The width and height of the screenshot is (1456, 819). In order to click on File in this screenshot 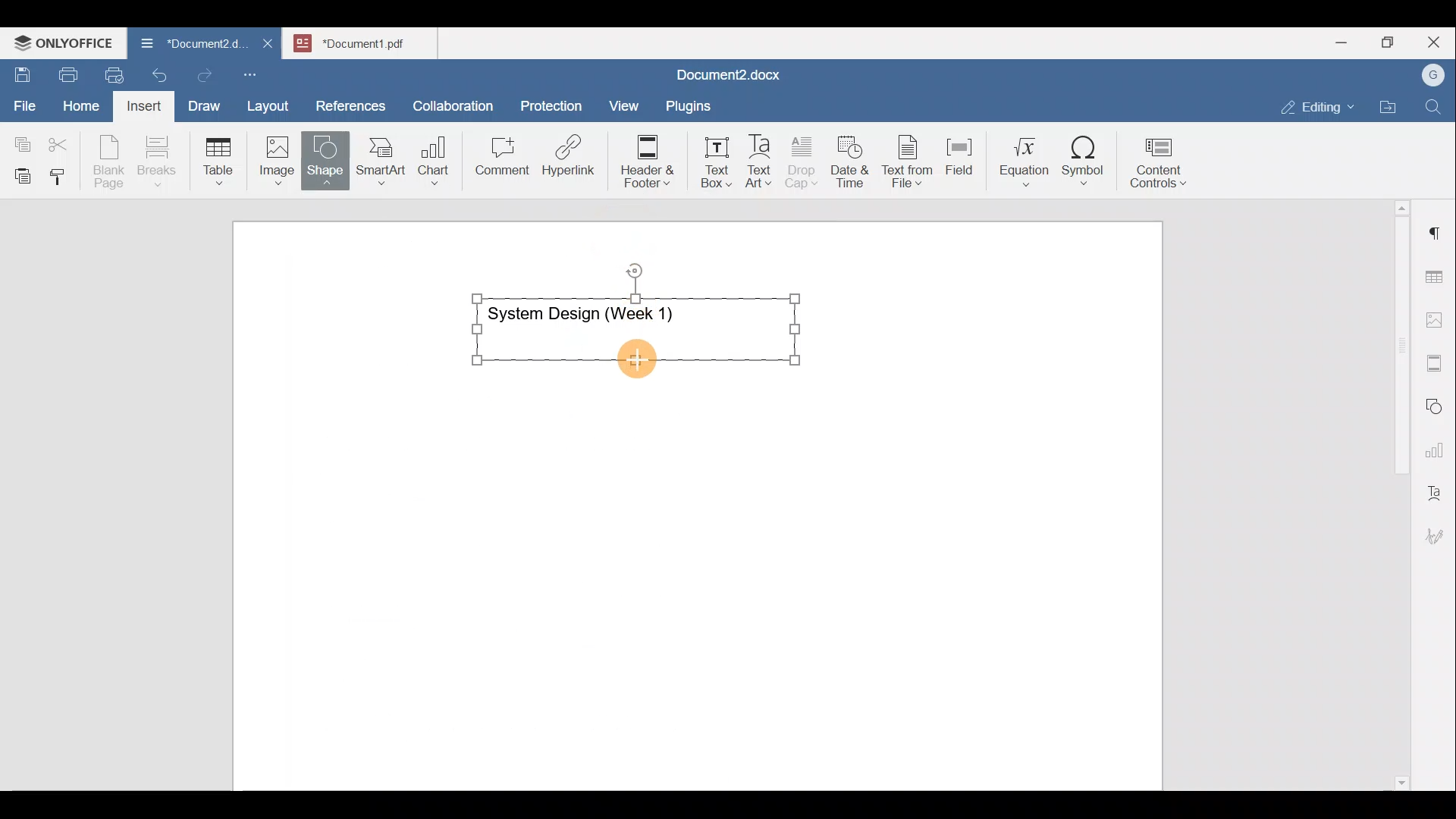, I will do `click(26, 101)`.